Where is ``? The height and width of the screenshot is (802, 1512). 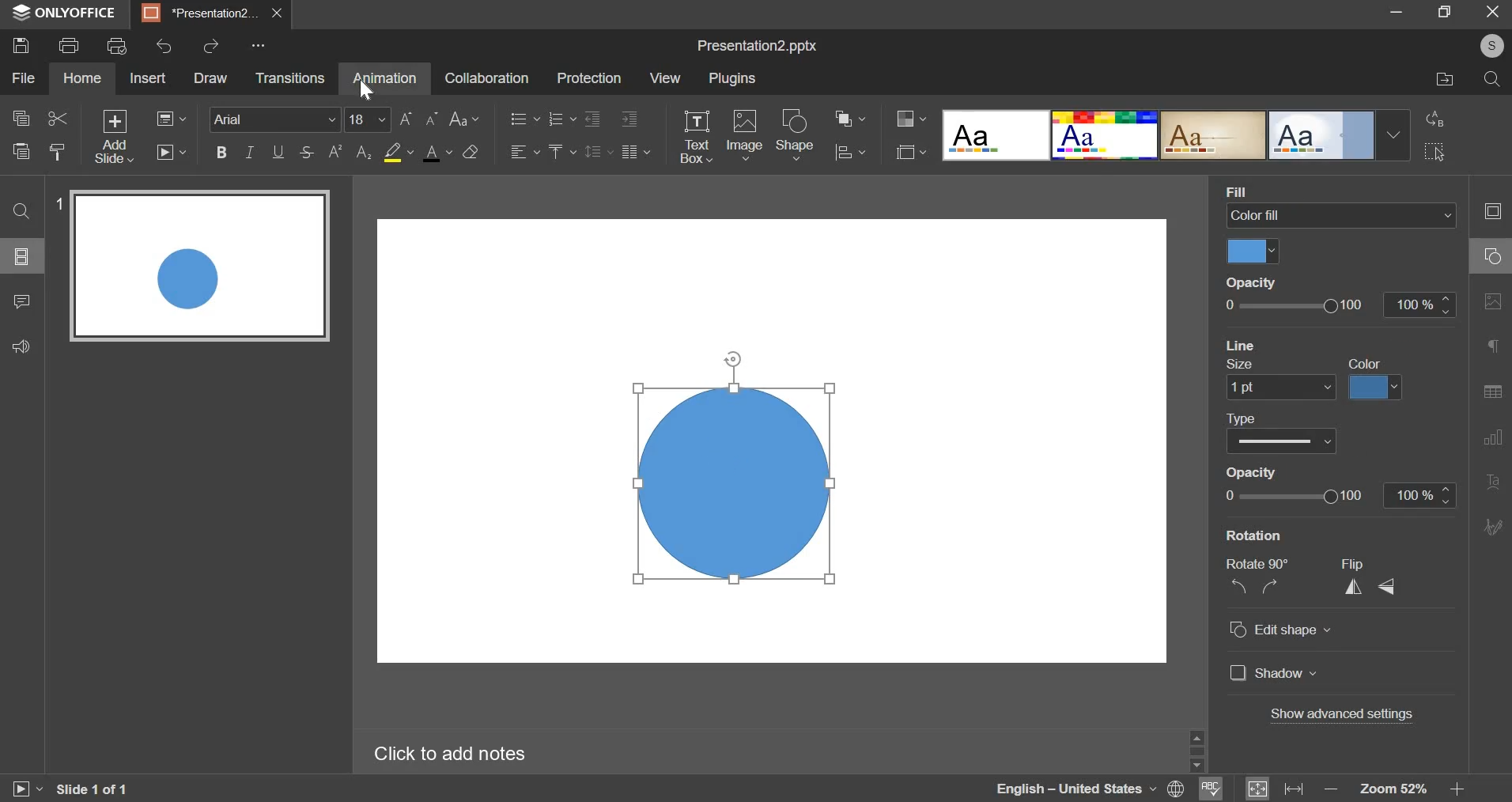  is located at coordinates (259, 44).